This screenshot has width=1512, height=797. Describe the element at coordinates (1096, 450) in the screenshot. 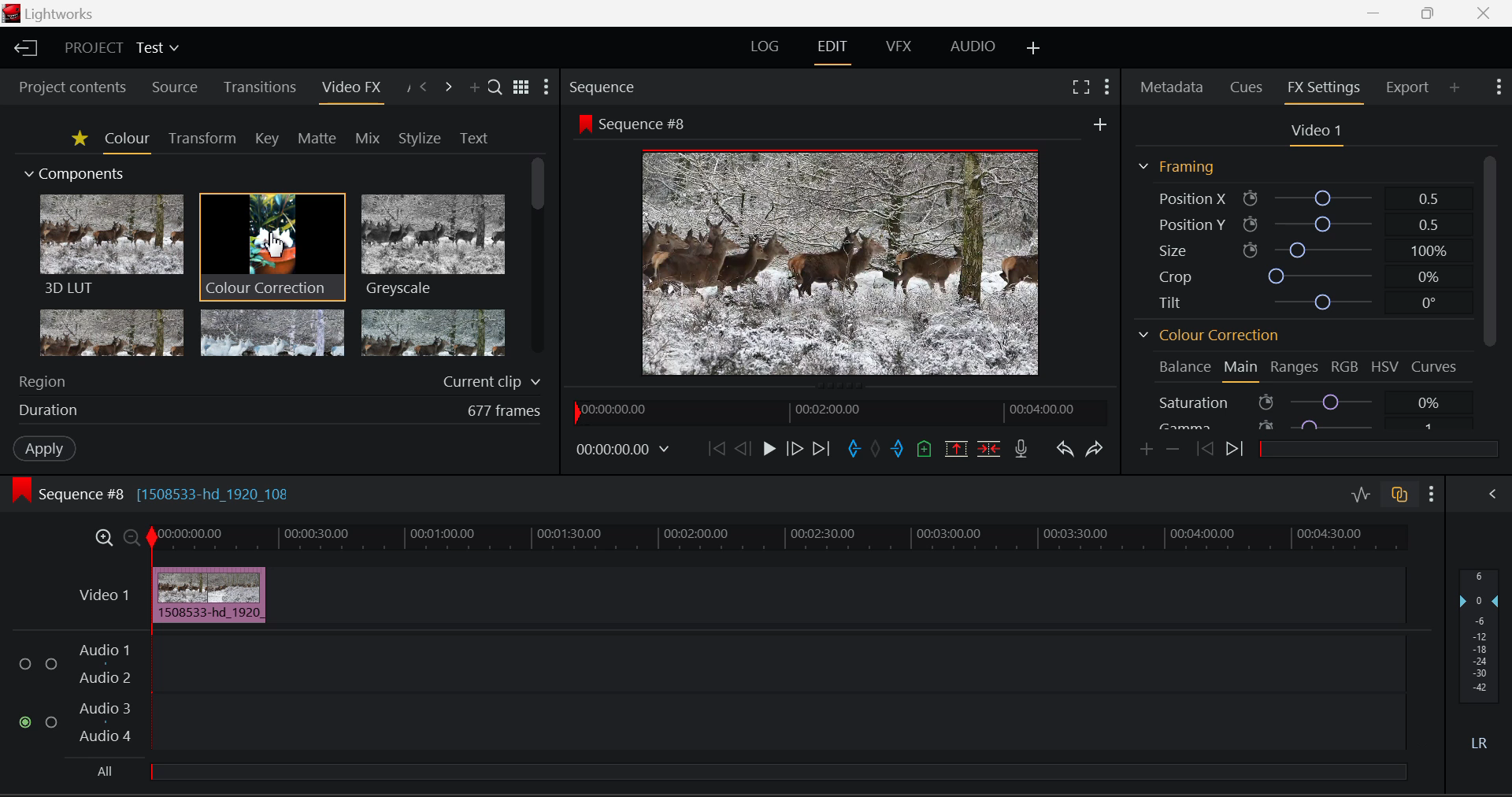

I see `Redo` at that location.